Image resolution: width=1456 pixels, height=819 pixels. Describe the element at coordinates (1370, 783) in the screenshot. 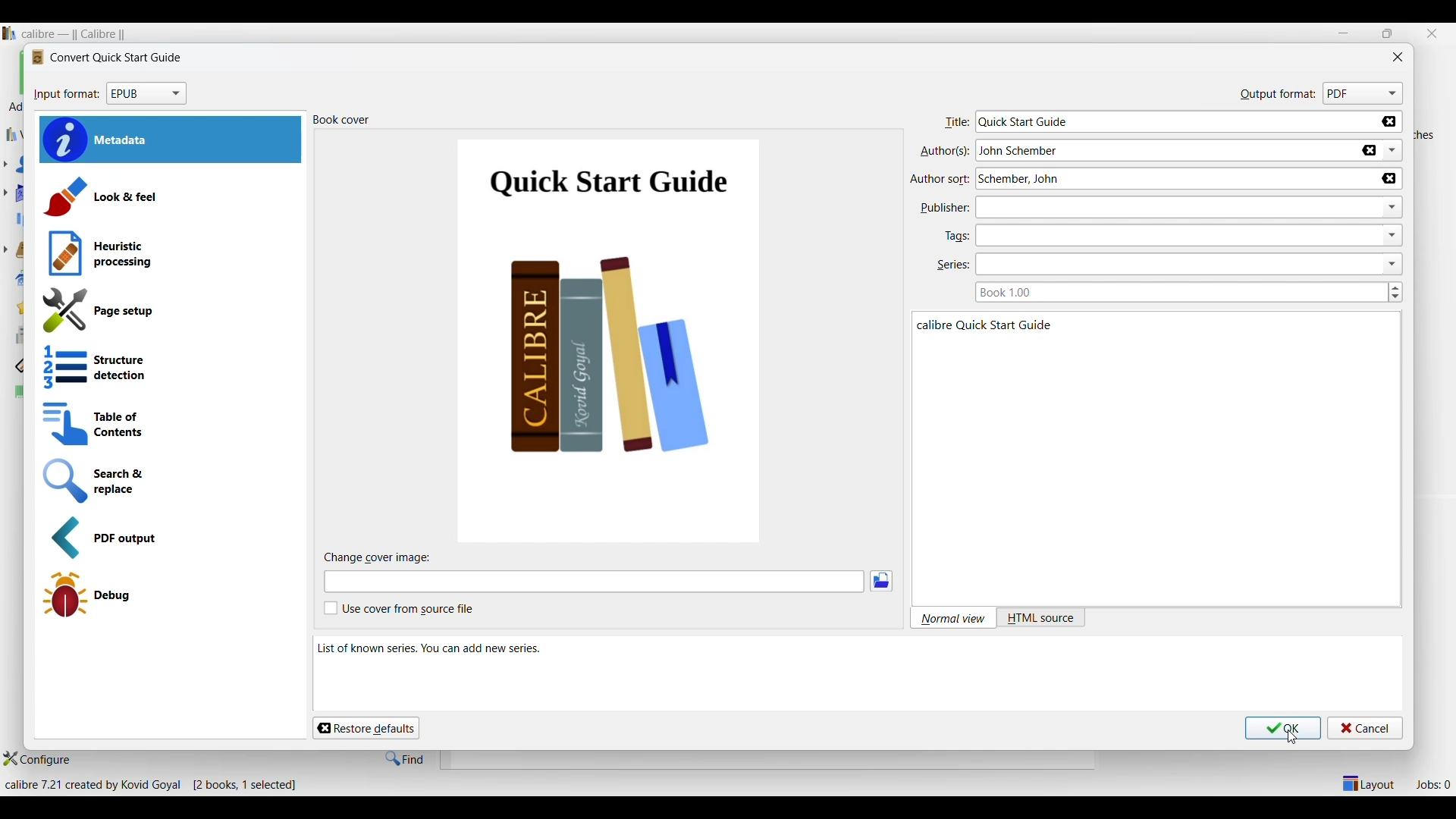

I see `Show/Hide parts of the main layout` at that location.